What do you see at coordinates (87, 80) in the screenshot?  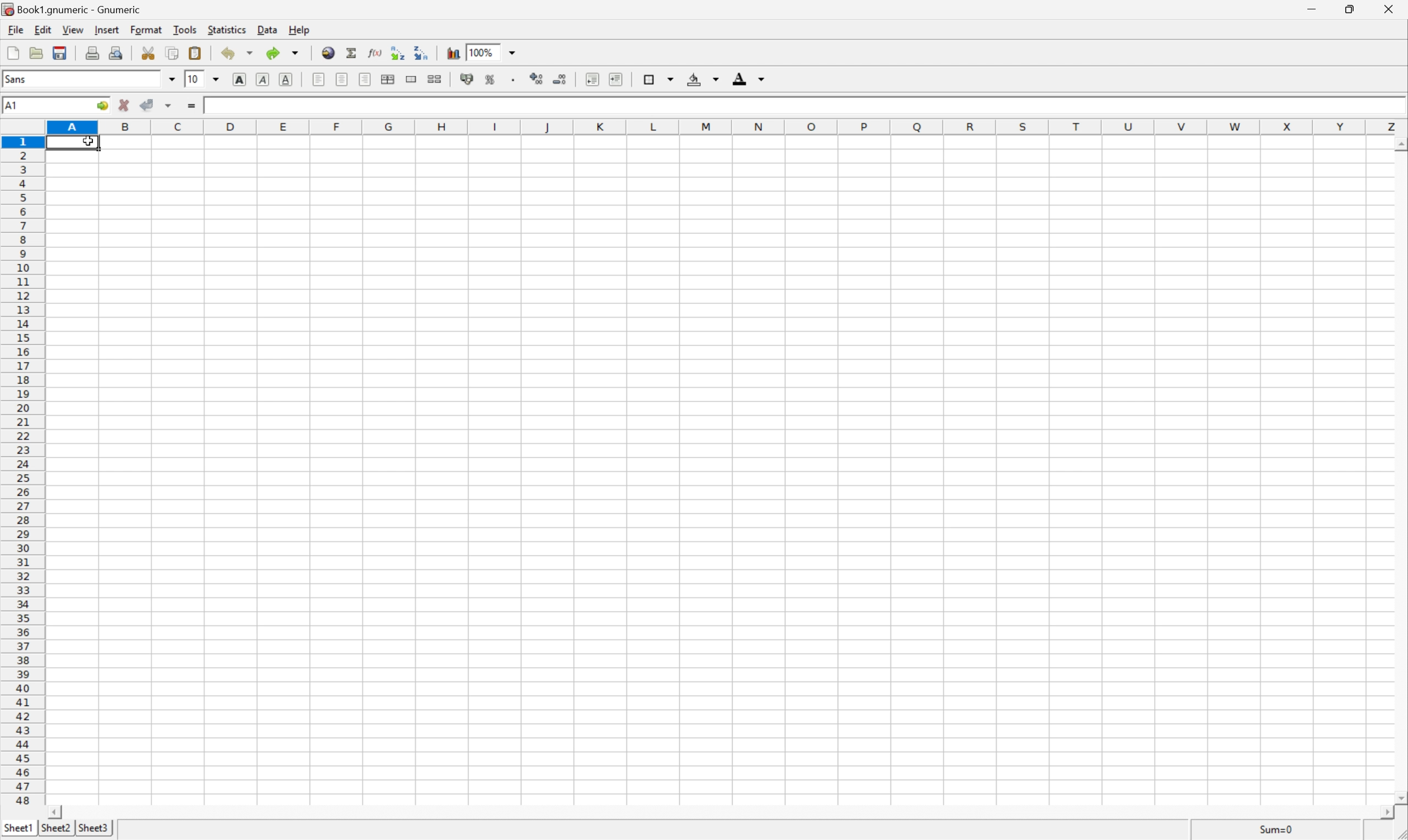 I see `font name - Sans` at bounding box center [87, 80].